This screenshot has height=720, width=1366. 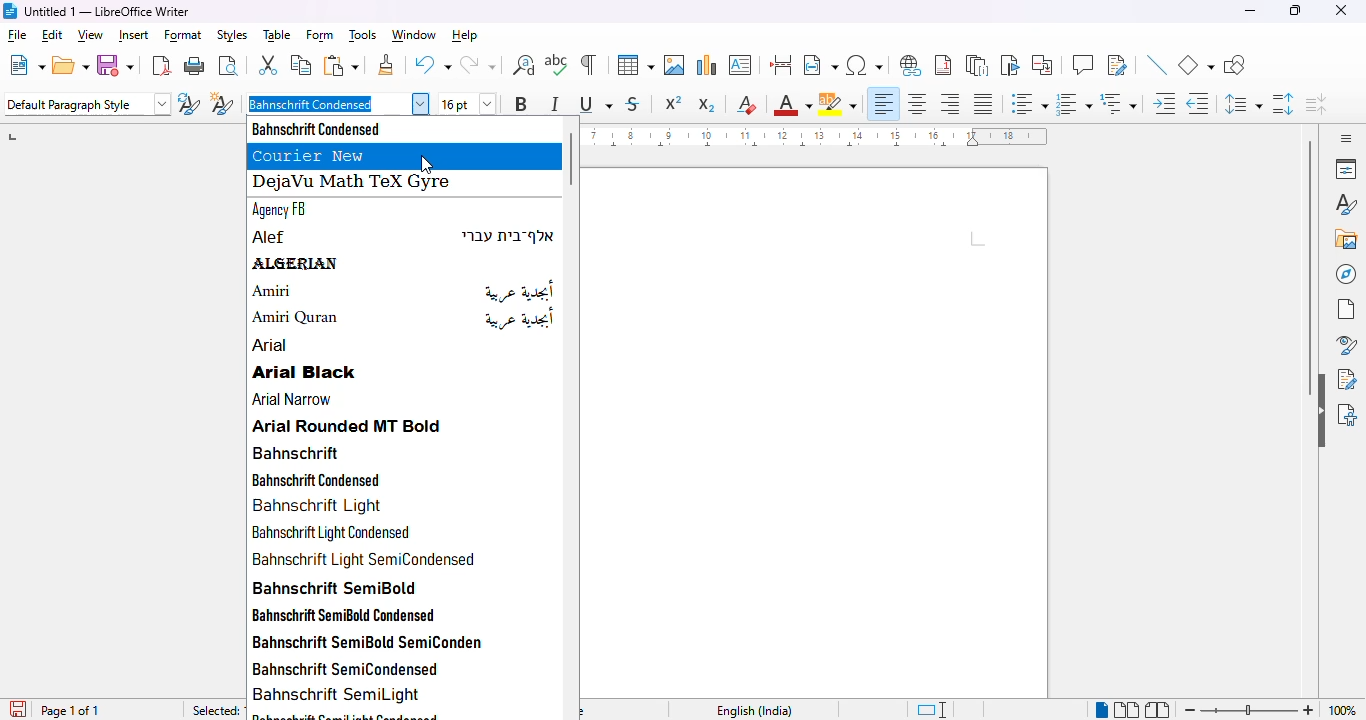 What do you see at coordinates (820, 64) in the screenshot?
I see `insert text field` at bounding box center [820, 64].